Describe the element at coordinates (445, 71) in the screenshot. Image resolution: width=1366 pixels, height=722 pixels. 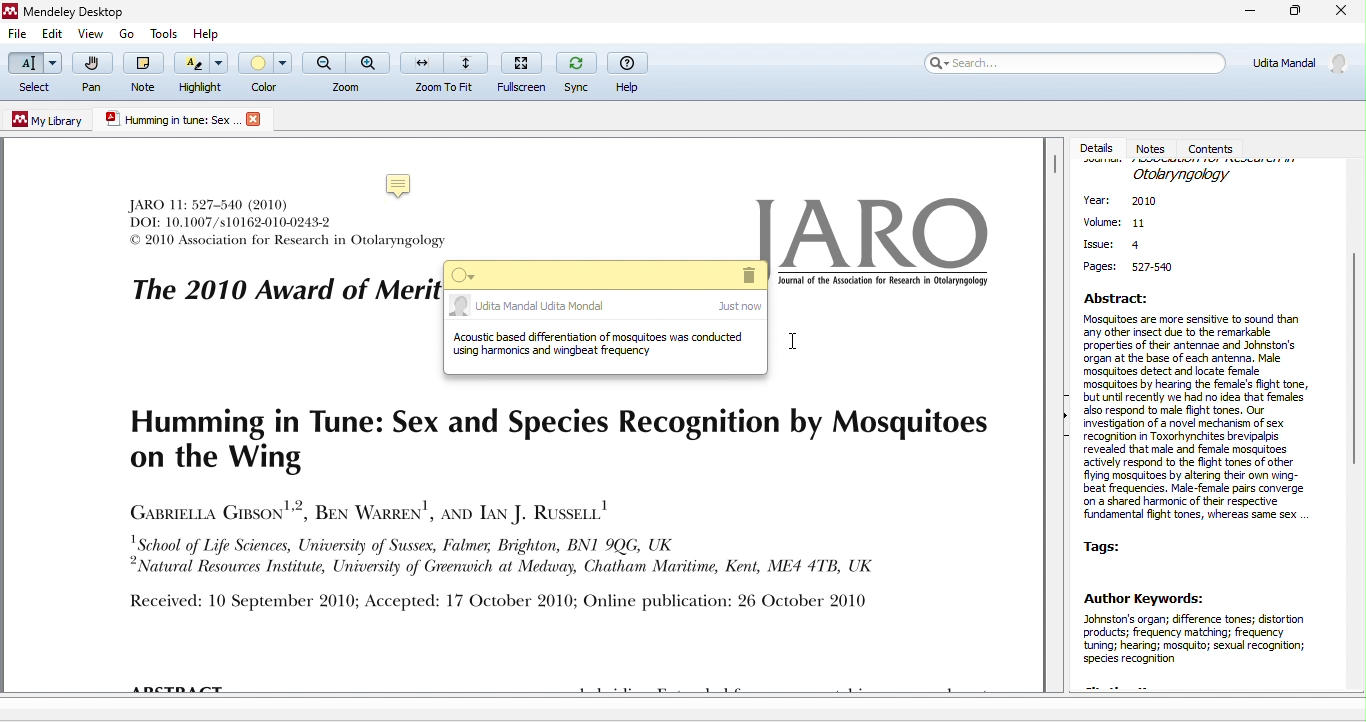
I see `zoom to fit` at that location.